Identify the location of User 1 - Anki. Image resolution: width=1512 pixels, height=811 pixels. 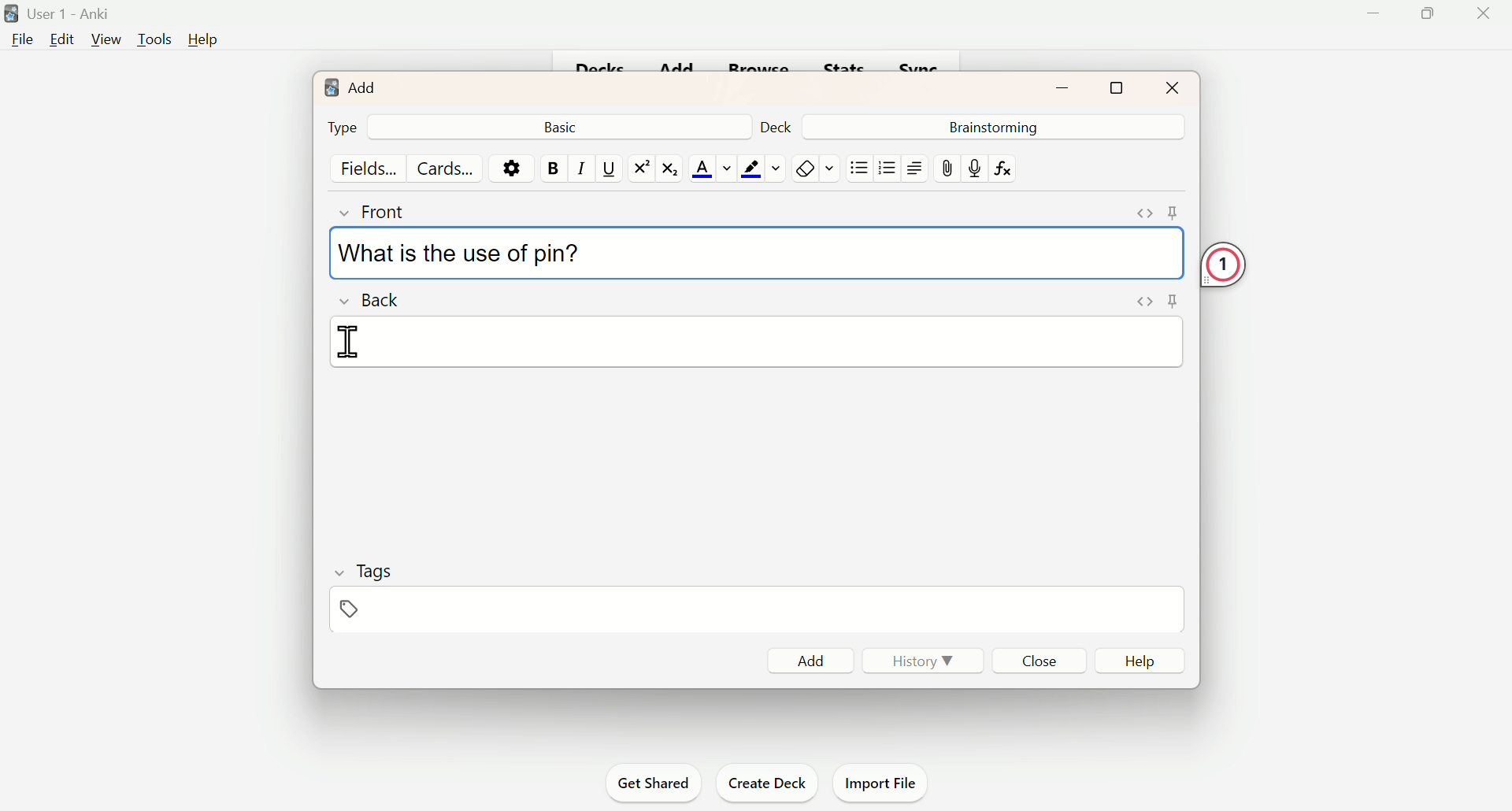
(60, 13).